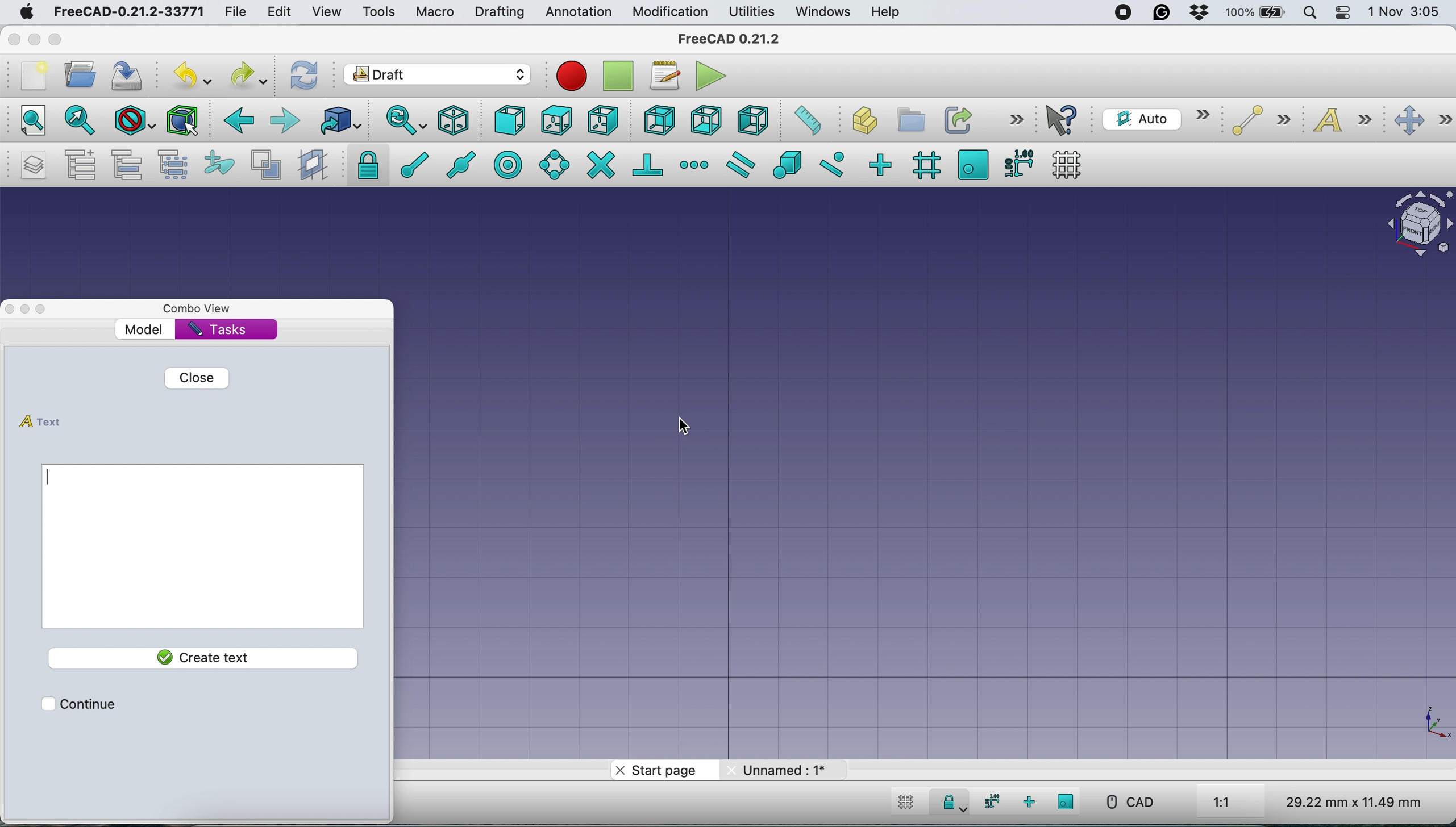  What do you see at coordinates (184, 120) in the screenshot?
I see `Selection filter` at bounding box center [184, 120].